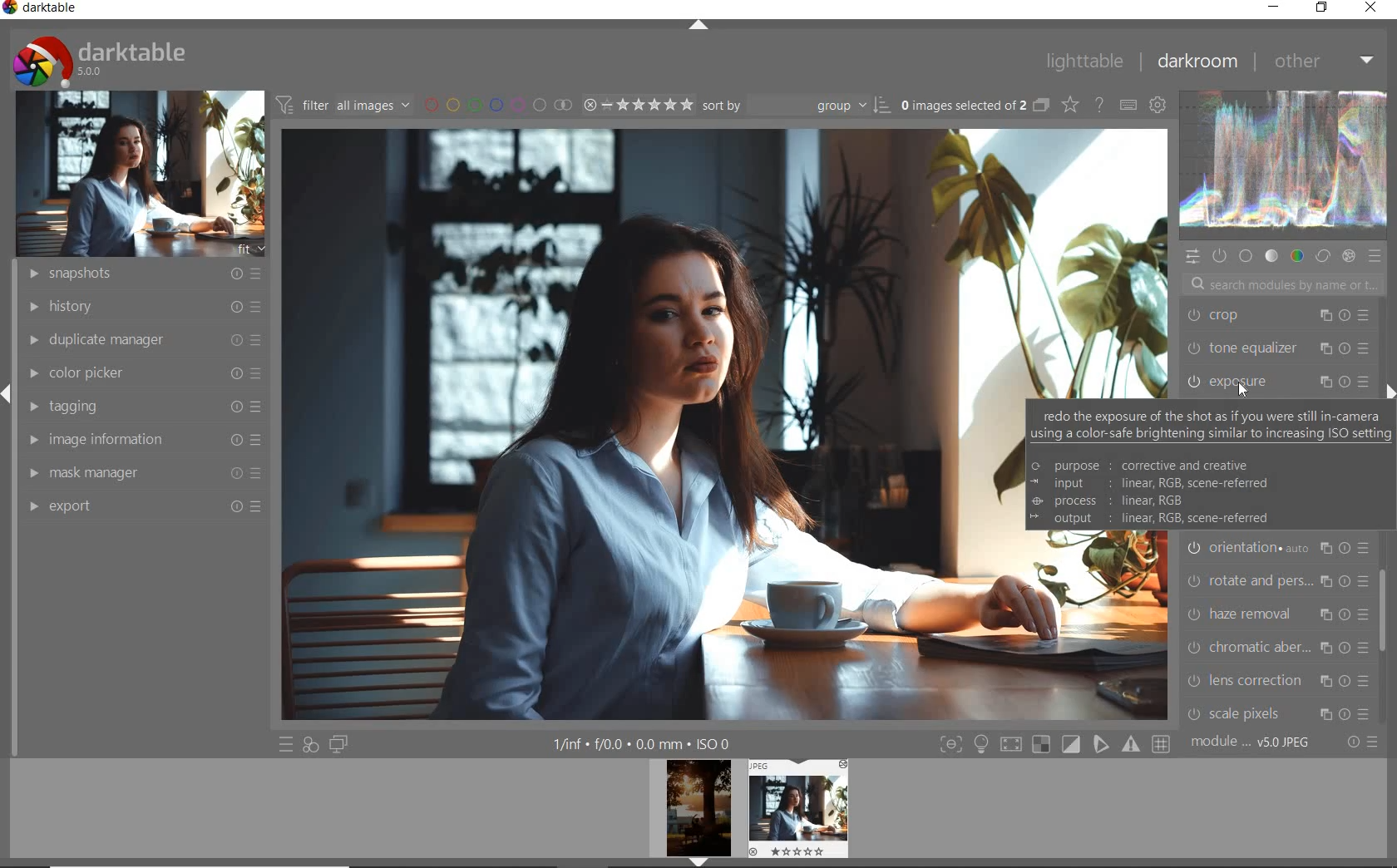  Describe the element at coordinates (1163, 491) in the screenshot. I see `© purpose : corrective and creative

~ input: linear, RGB, scene-referred
© process : linear, RGB

= output : linear, RGB, scene-referred` at that location.